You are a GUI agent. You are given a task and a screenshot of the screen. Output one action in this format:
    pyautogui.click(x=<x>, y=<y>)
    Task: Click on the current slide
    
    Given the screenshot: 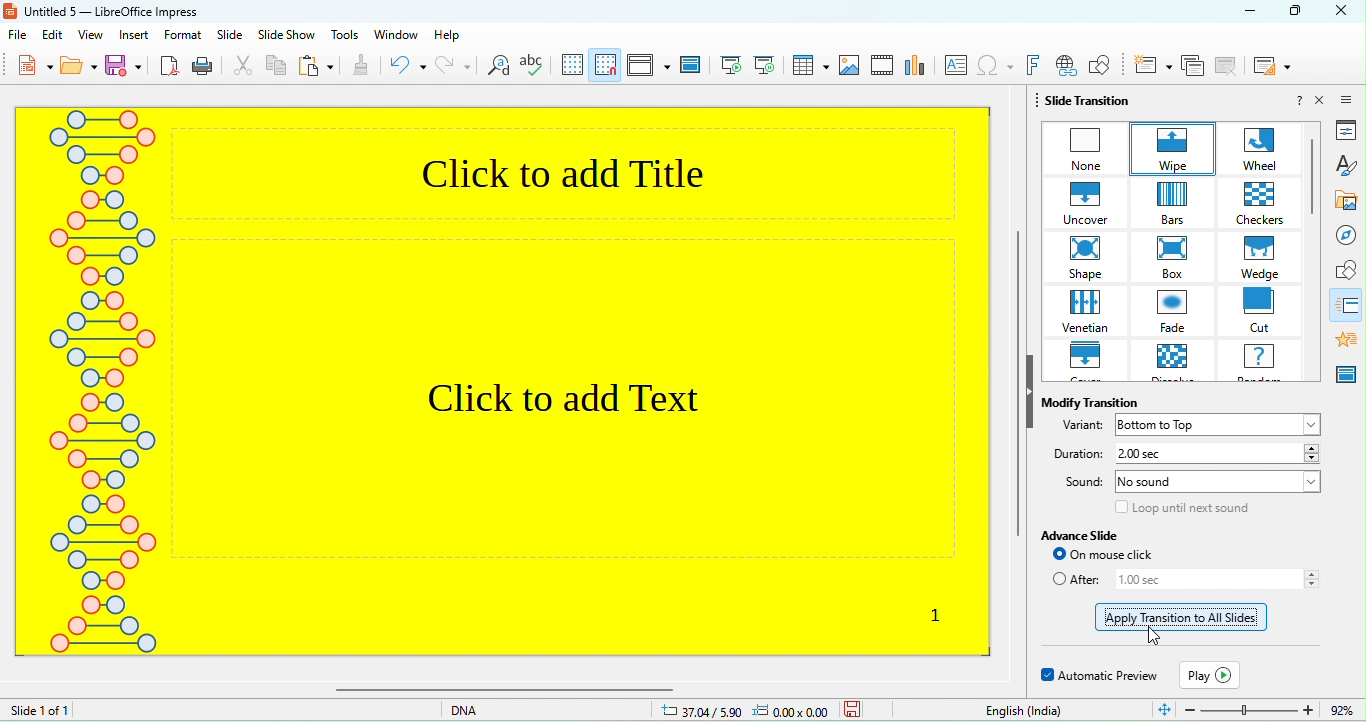 What is the action you would take?
    pyautogui.click(x=771, y=65)
    